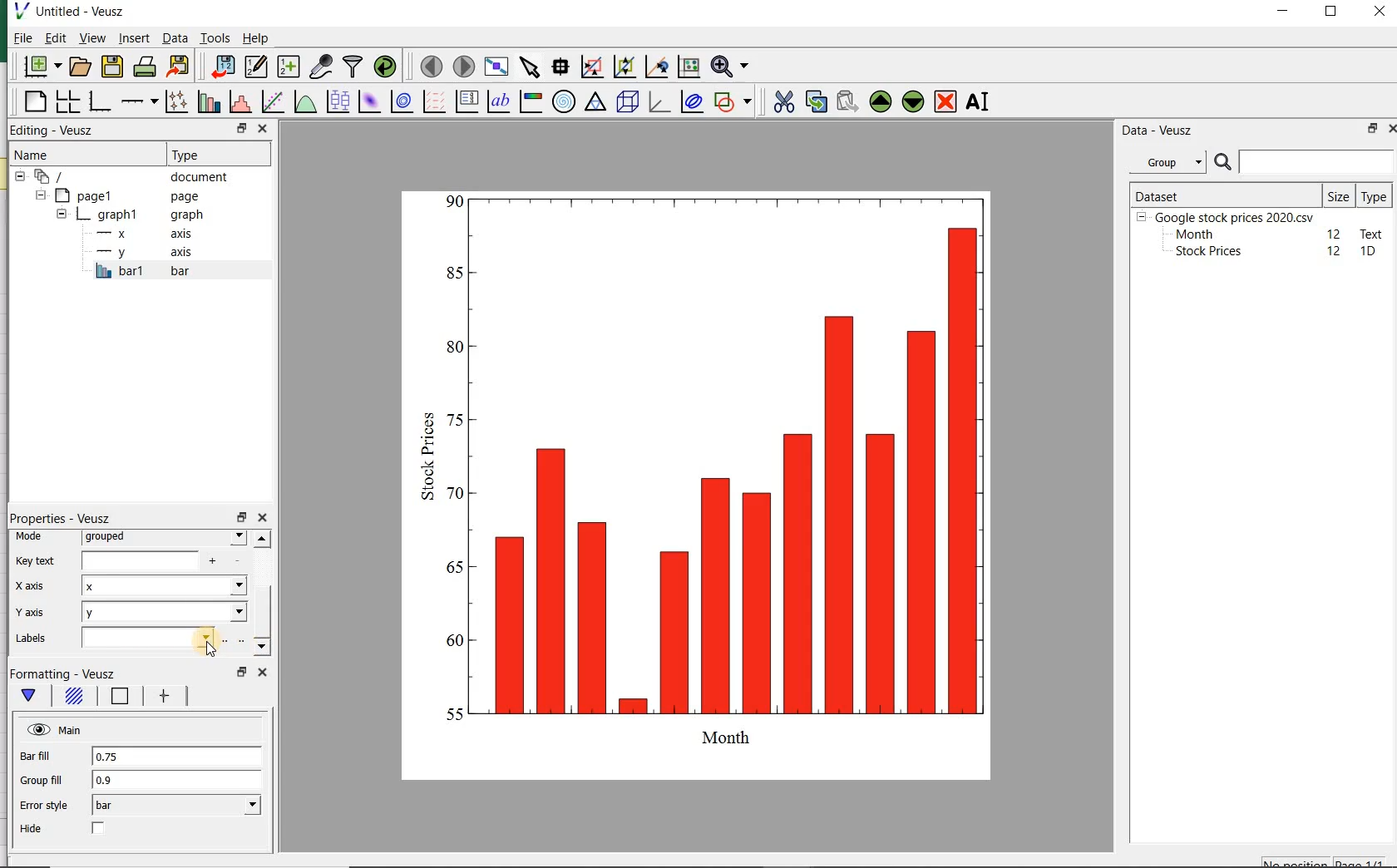 The height and width of the screenshot is (868, 1397). I want to click on move the selected widget down, so click(913, 101).